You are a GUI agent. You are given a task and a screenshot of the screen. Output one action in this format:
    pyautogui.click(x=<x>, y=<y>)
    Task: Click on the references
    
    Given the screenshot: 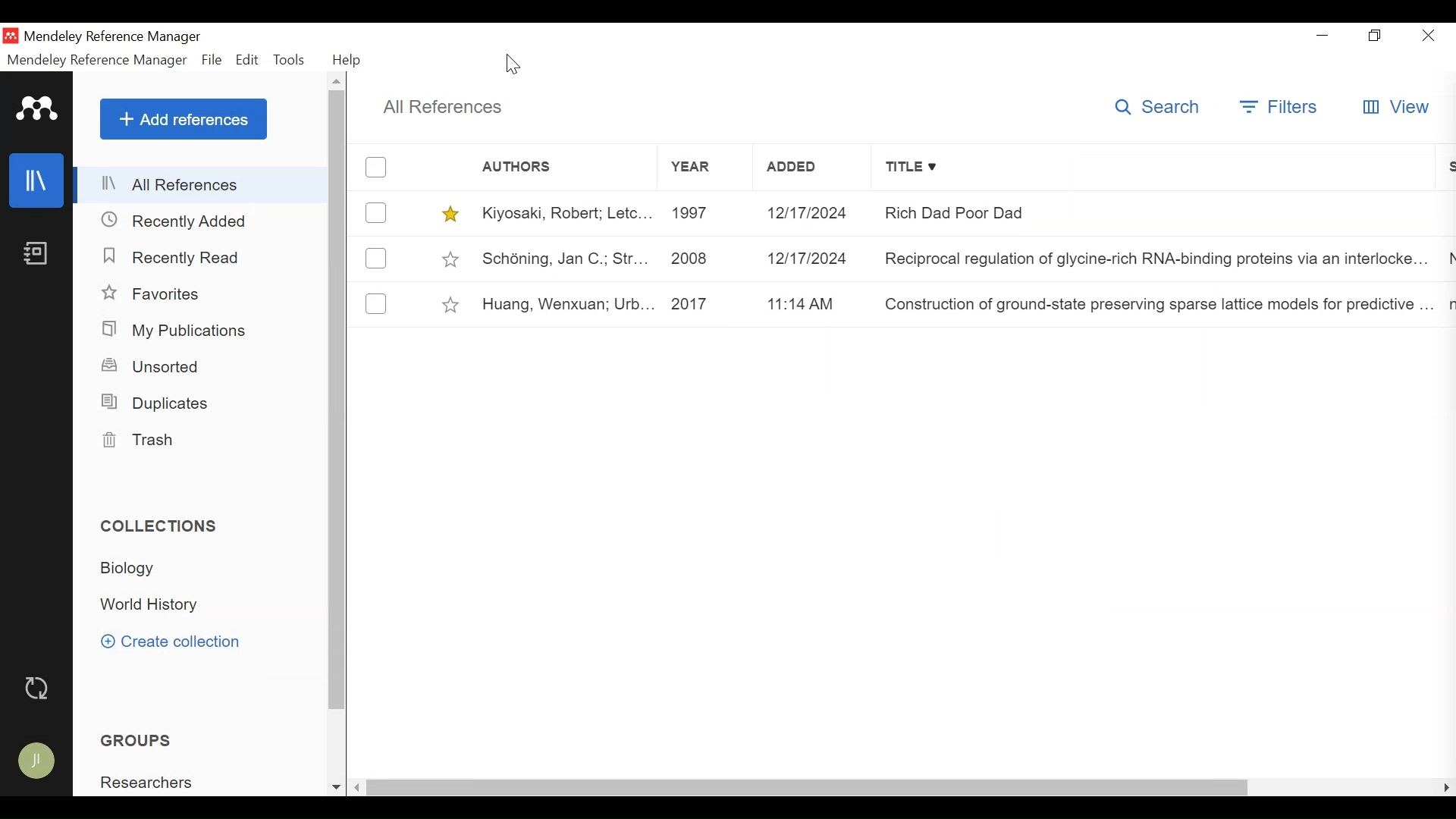 What is the action you would take?
    pyautogui.click(x=36, y=180)
    